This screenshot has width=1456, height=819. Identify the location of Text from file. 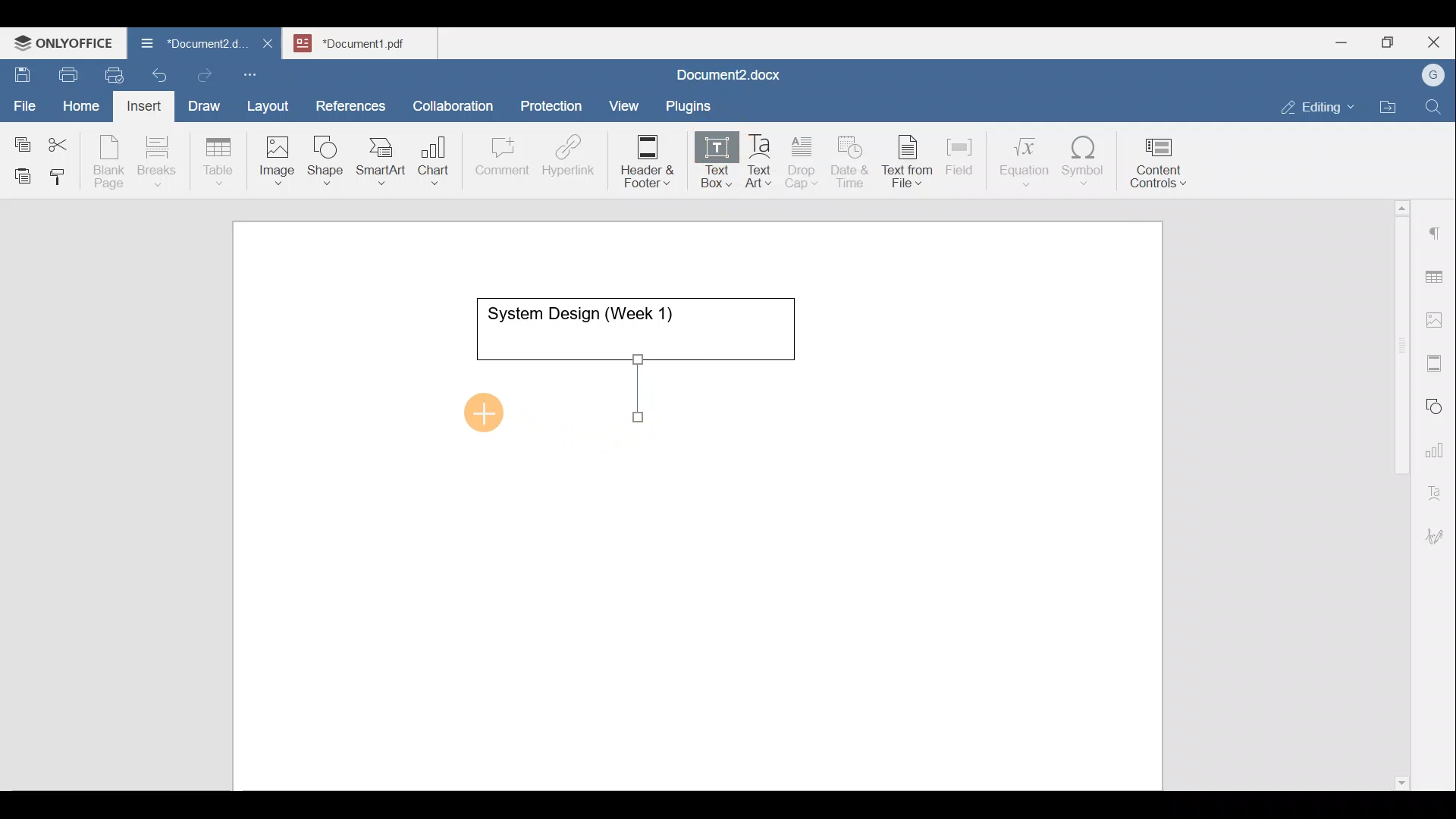
(910, 160).